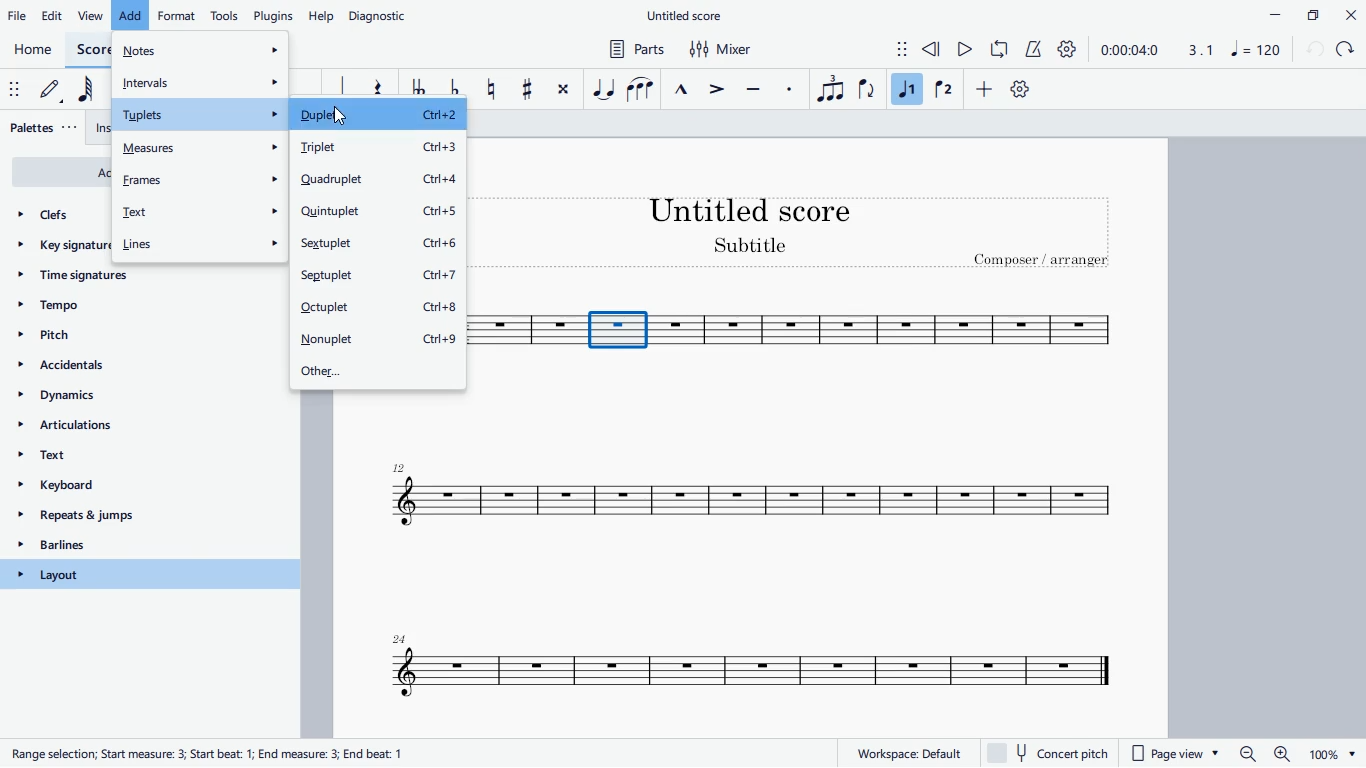  Describe the element at coordinates (633, 51) in the screenshot. I see `parts` at that location.